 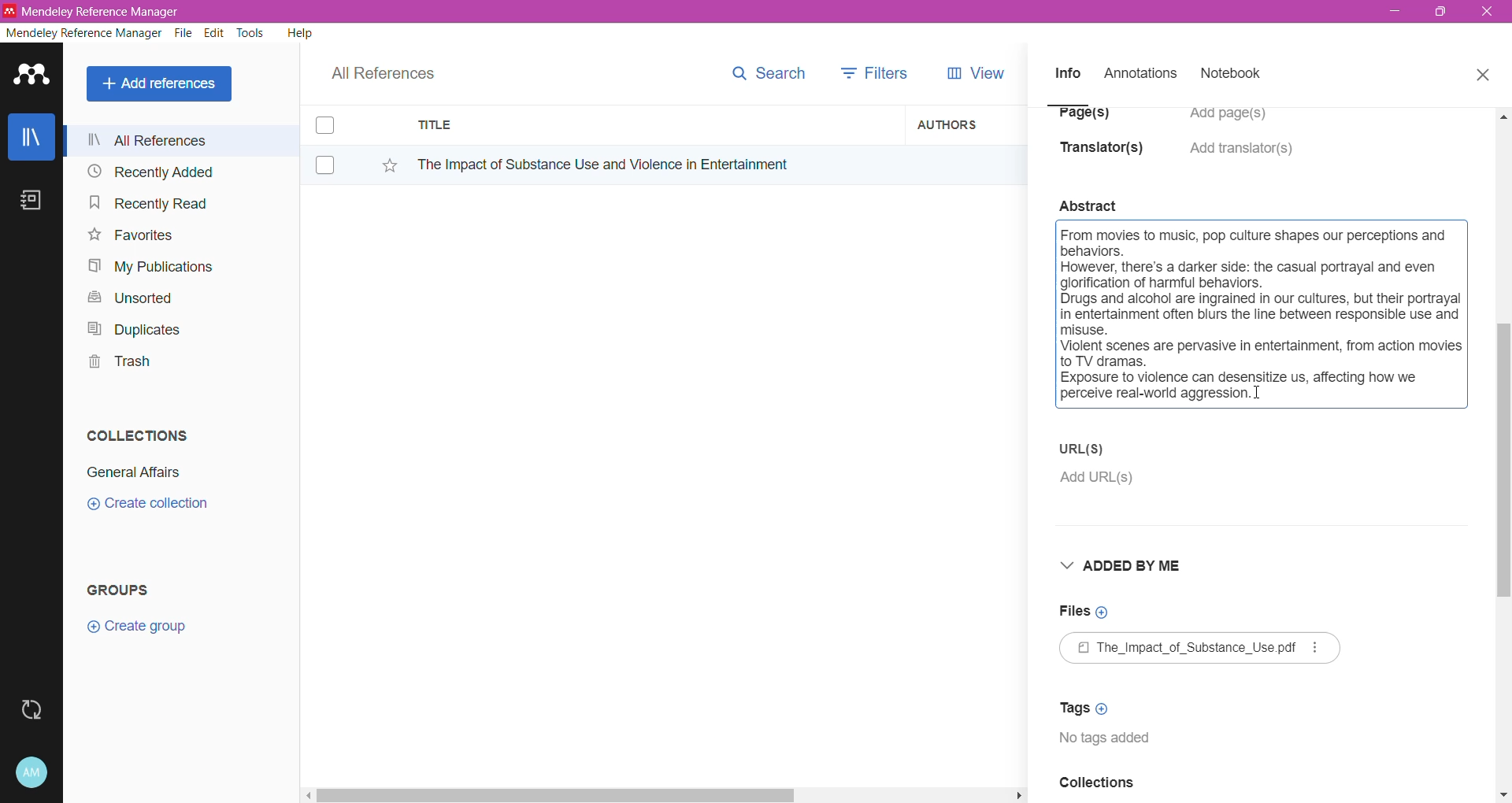 What do you see at coordinates (1258, 392) in the screenshot?
I see `Cursor` at bounding box center [1258, 392].